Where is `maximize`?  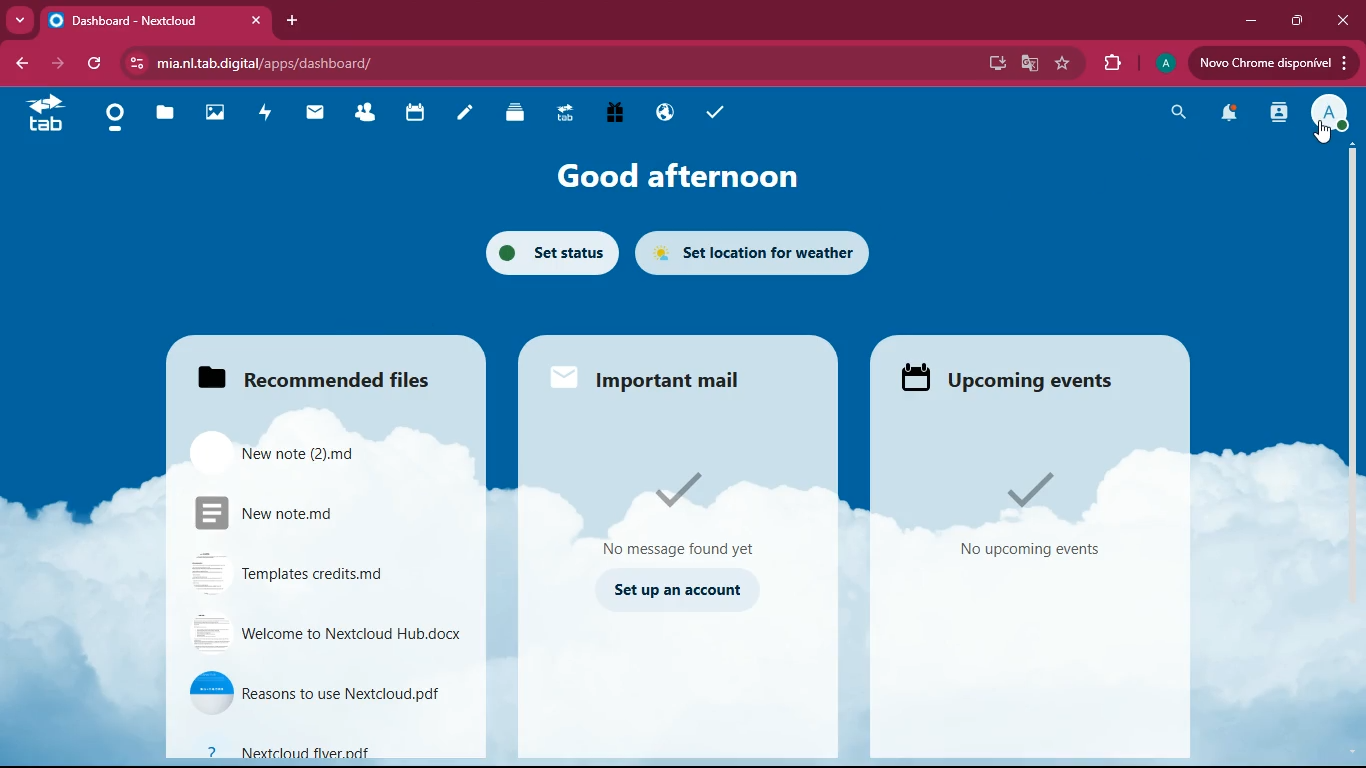 maximize is located at coordinates (1292, 21).